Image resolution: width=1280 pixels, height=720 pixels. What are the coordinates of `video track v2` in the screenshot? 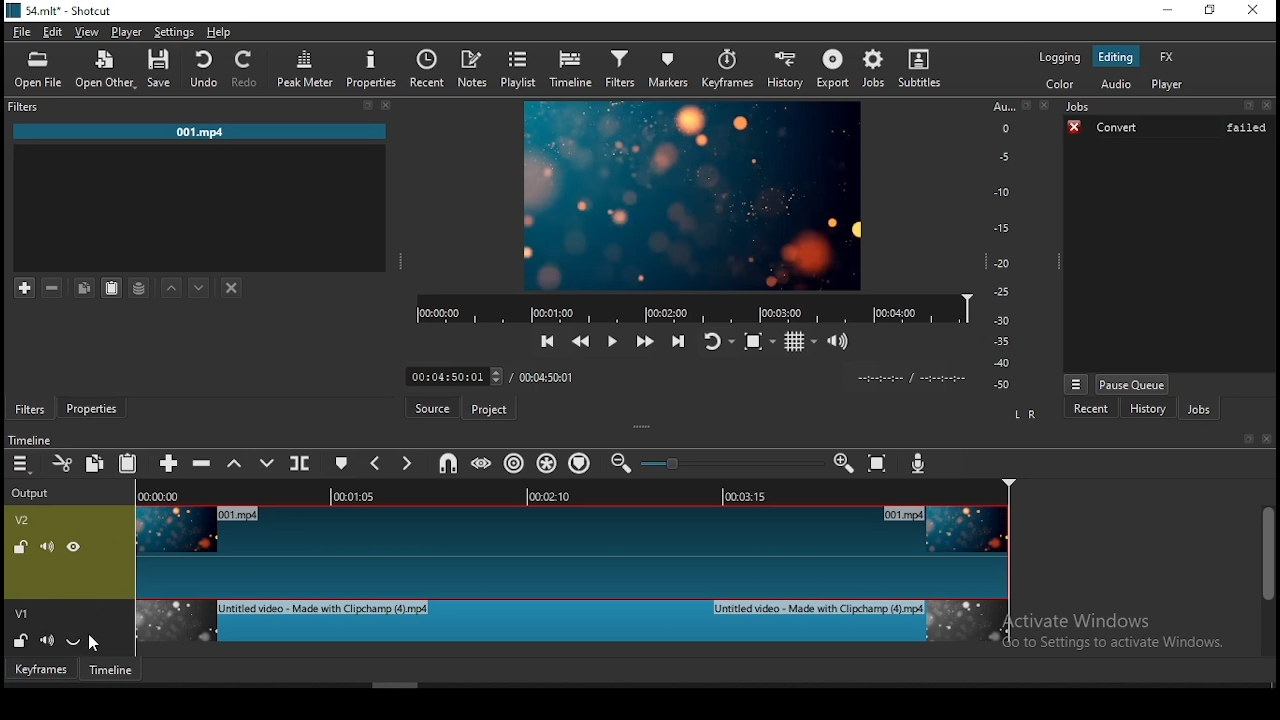 It's located at (573, 551).